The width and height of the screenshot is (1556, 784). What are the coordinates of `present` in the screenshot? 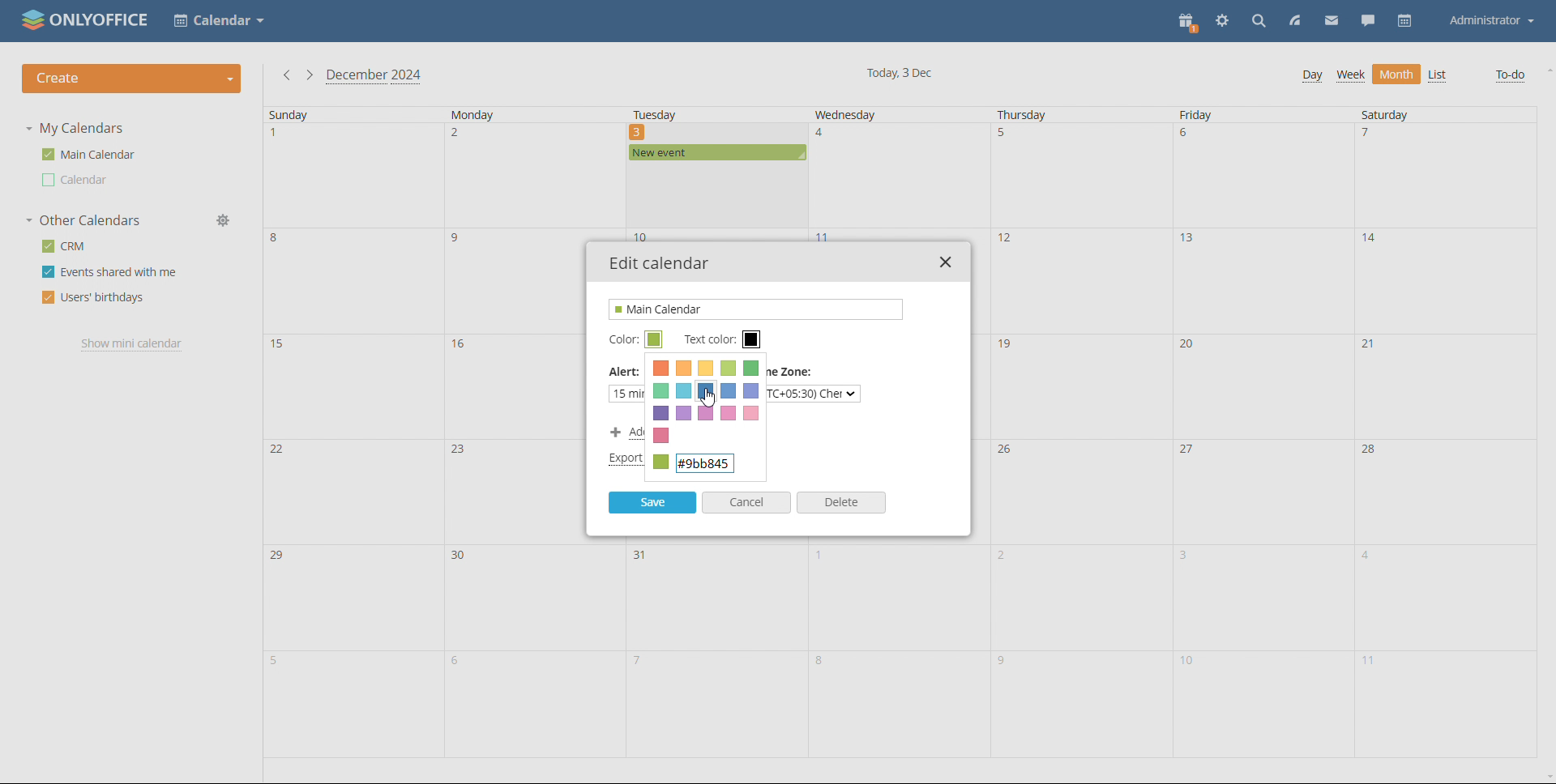 It's located at (1190, 22).